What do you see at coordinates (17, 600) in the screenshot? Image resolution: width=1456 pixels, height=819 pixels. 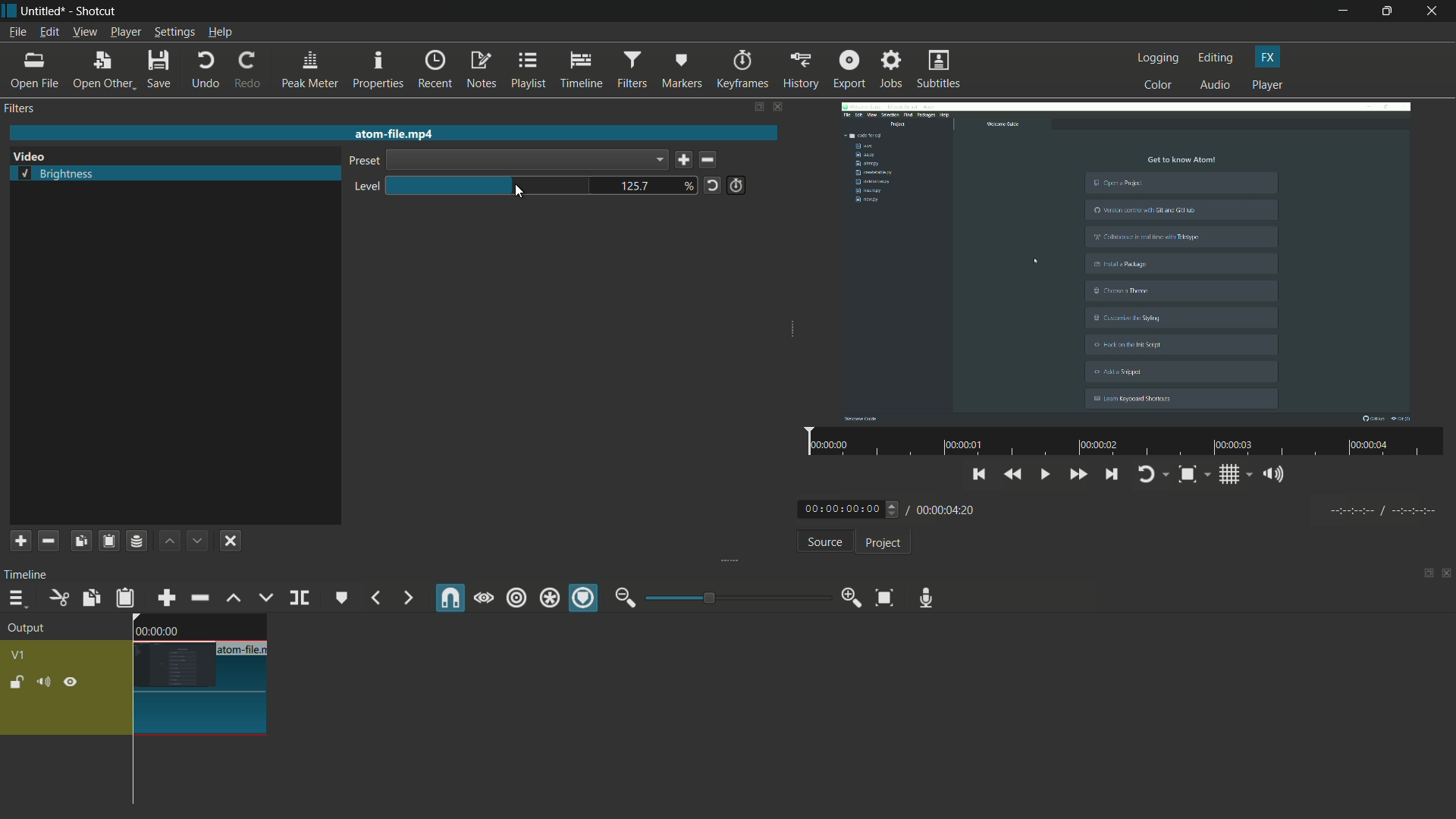 I see `timeline menu` at bounding box center [17, 600].